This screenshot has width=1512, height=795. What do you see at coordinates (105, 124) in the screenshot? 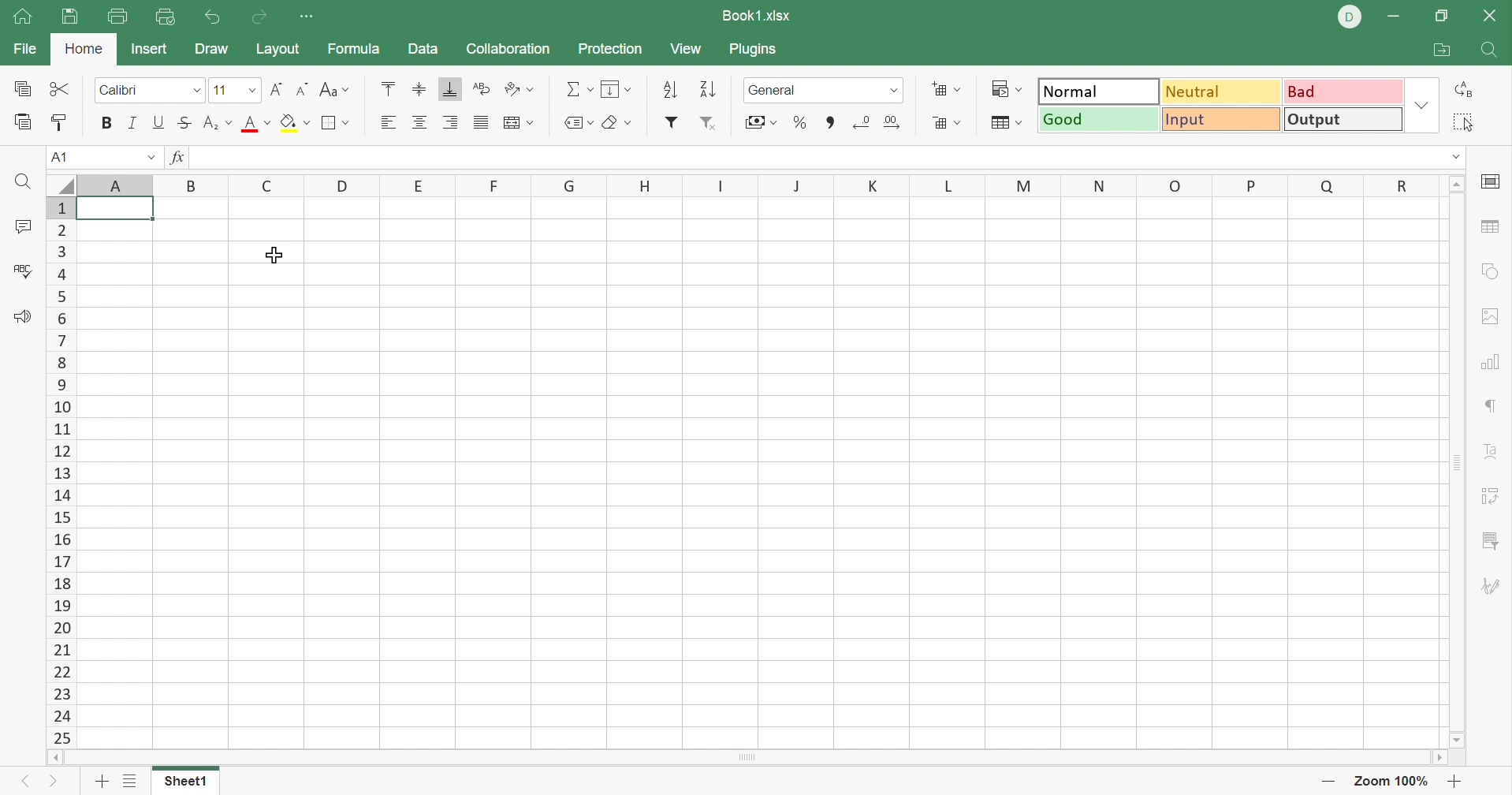
I see `Bold` at bounding box center [105, 124].